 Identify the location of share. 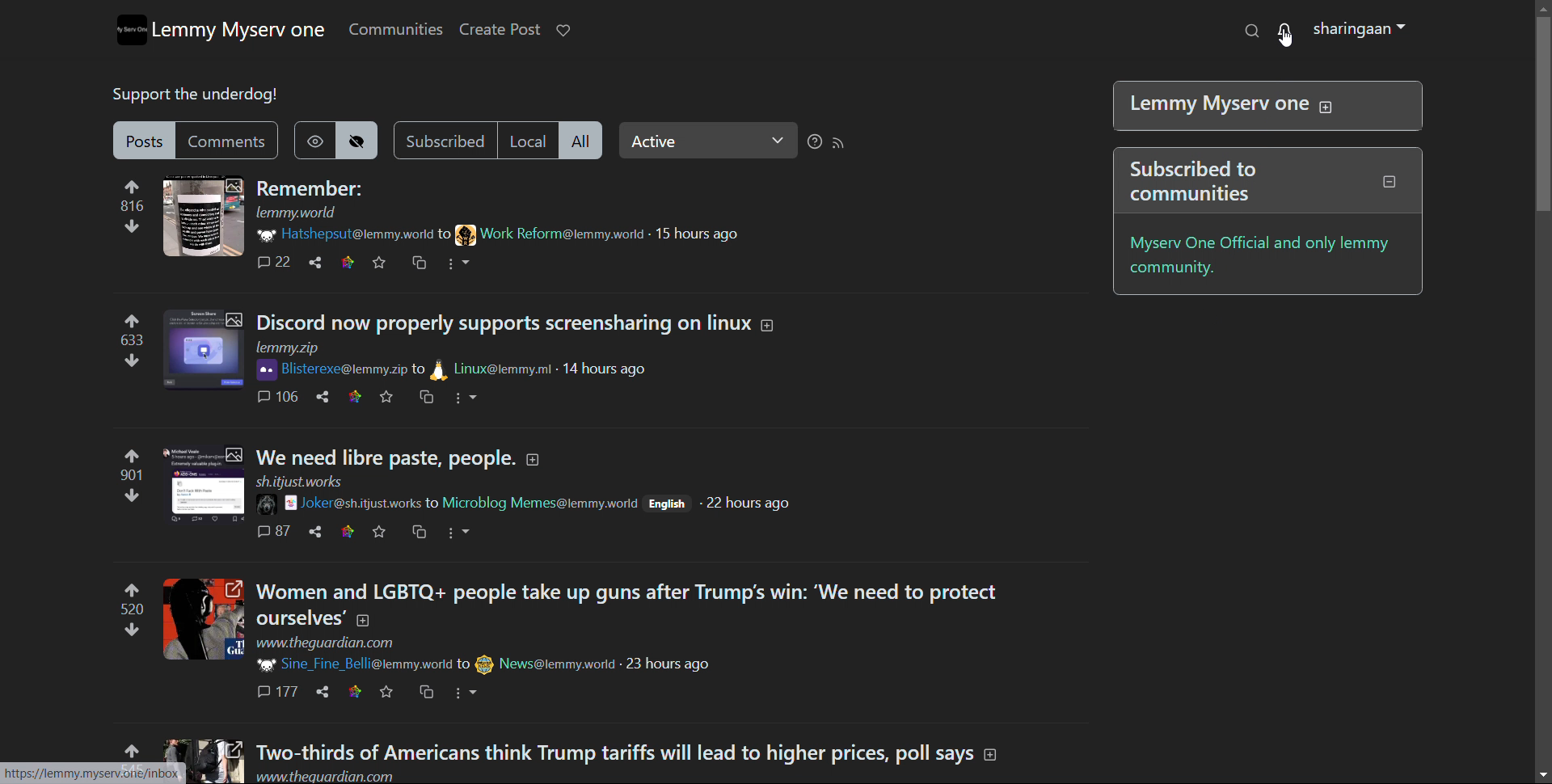
(315, 263).